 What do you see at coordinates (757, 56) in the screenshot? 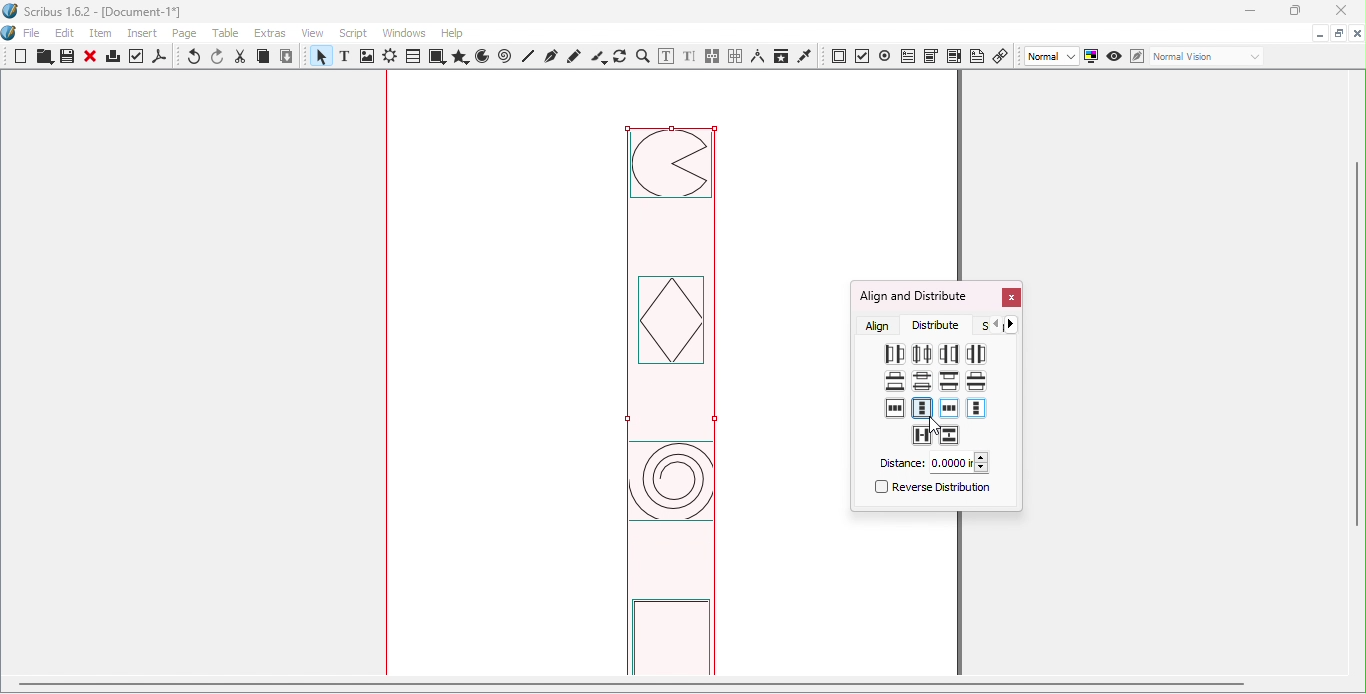
I see `Measurements` at bounding box center [757, 56].